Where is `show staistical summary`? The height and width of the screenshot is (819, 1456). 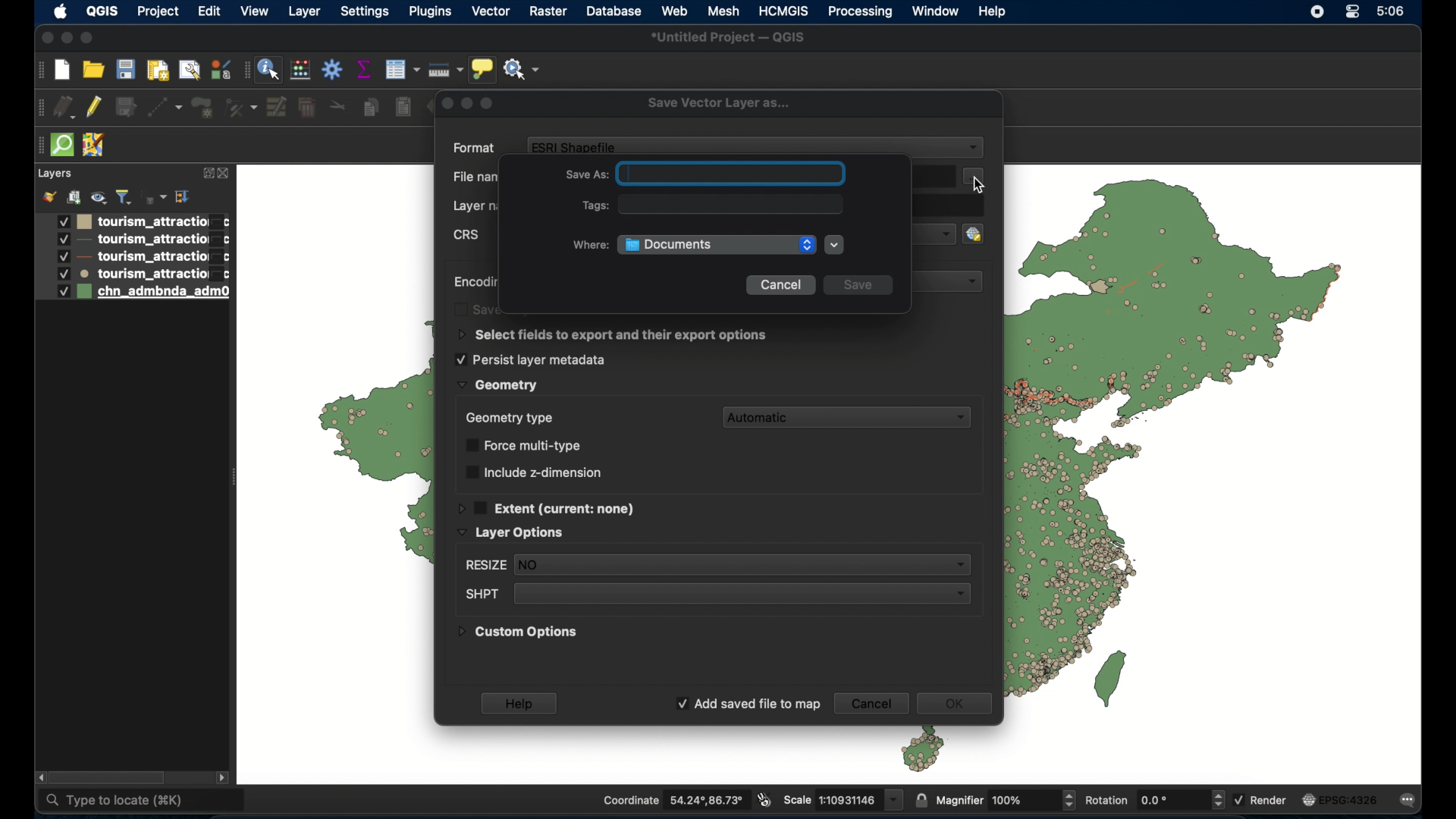 show staistical summary is located at coordinates (364, 69).